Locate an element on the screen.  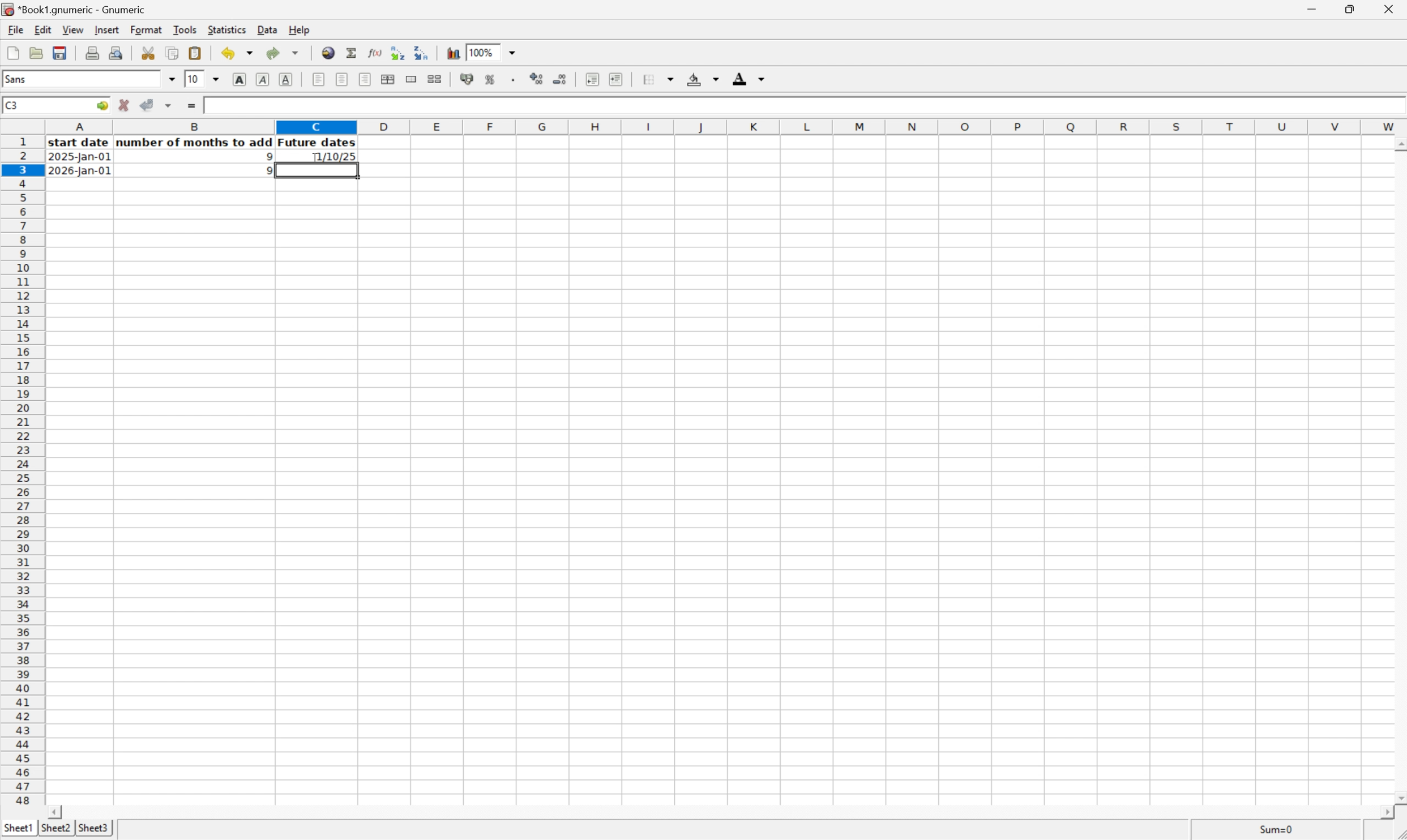
File is located at coordinates (16, 29).